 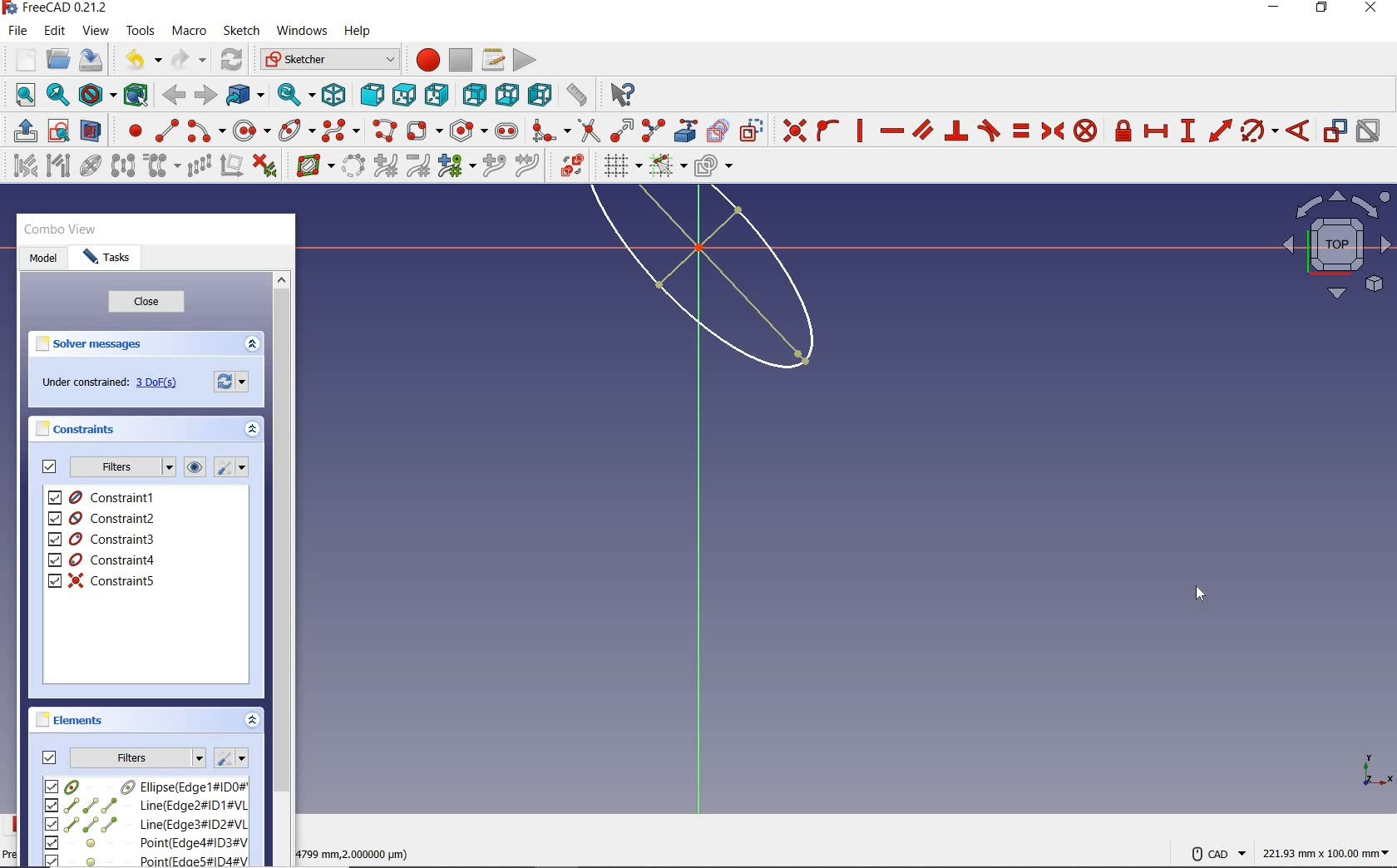 I want to click on file, so click(x=17, y=31).